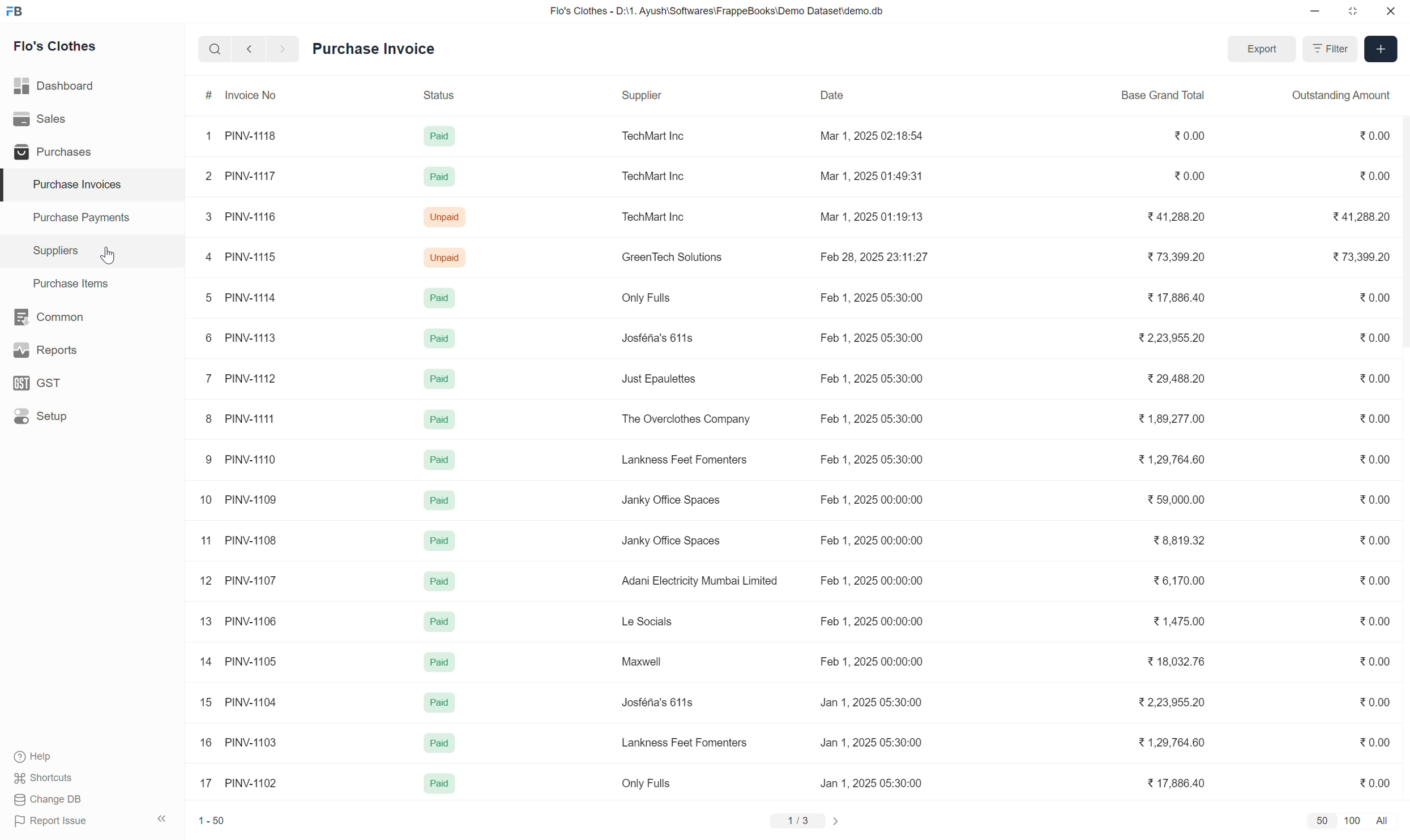  I want to click on Unpaid, so click(446, 256).